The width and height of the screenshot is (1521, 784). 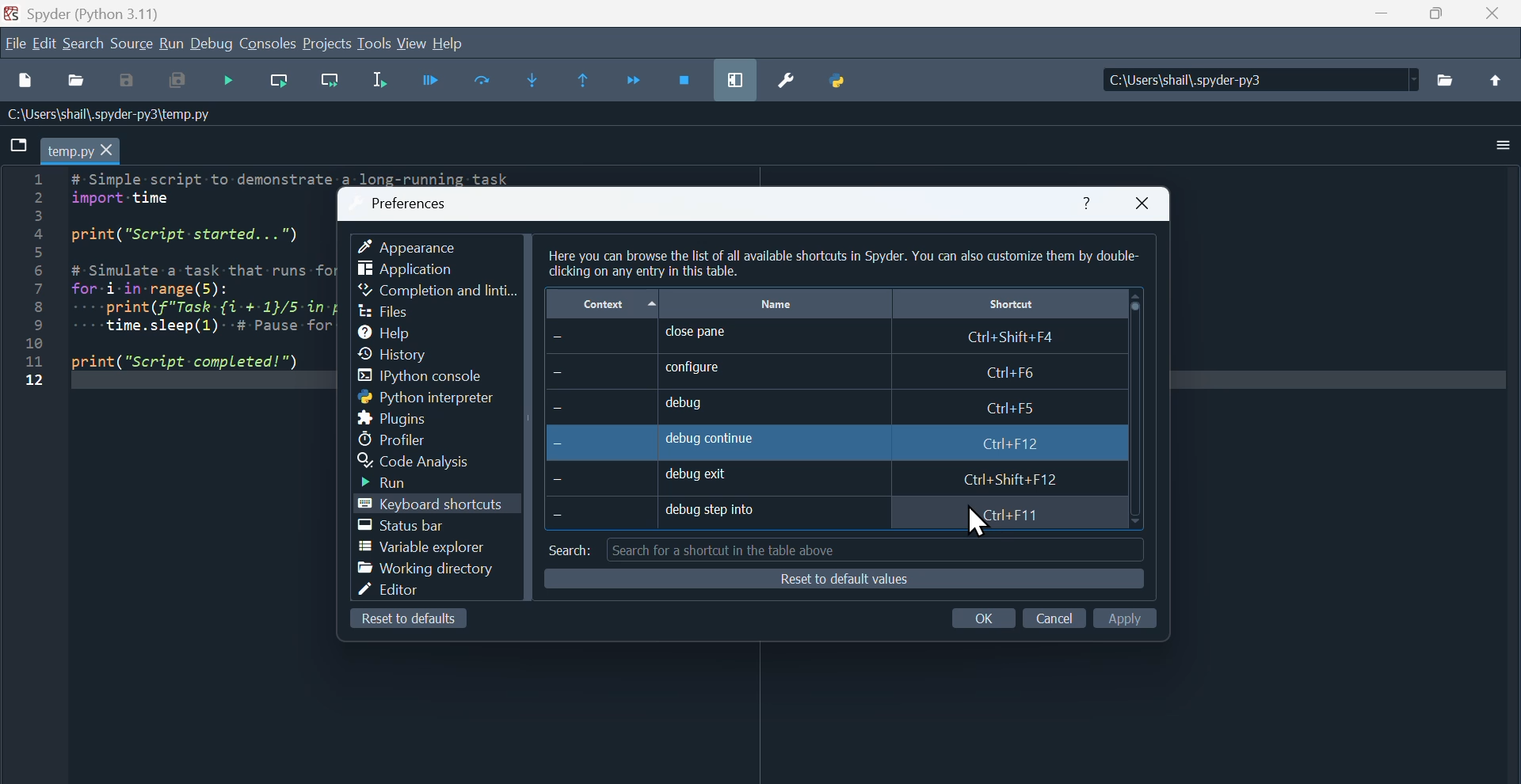 What do you see at coordinates (382, 83) in the screenshot?
I see `Run selection` at bounding box center [382, 83].